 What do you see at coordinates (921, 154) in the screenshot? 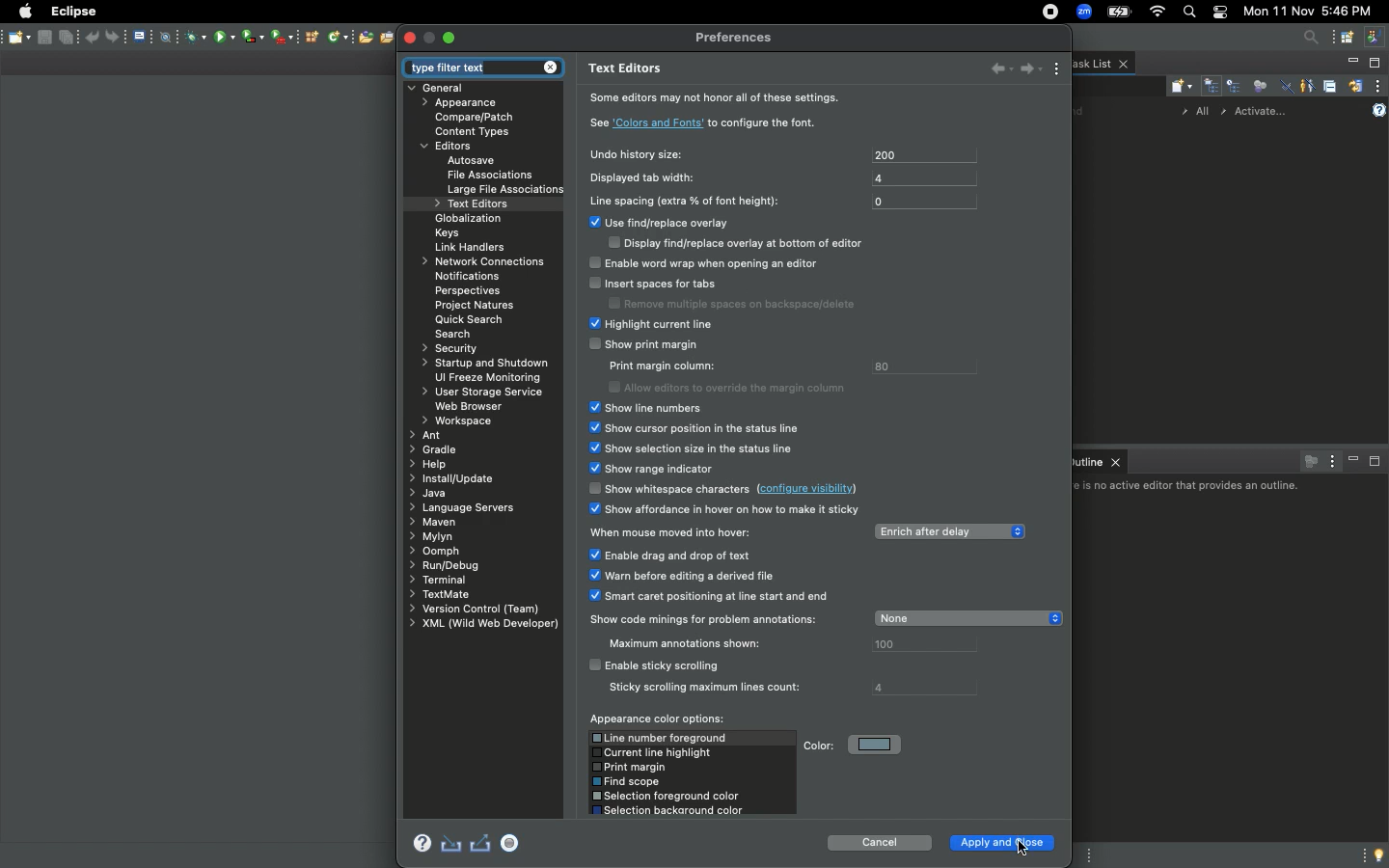
I see `200` at bounding box center [921, 154].